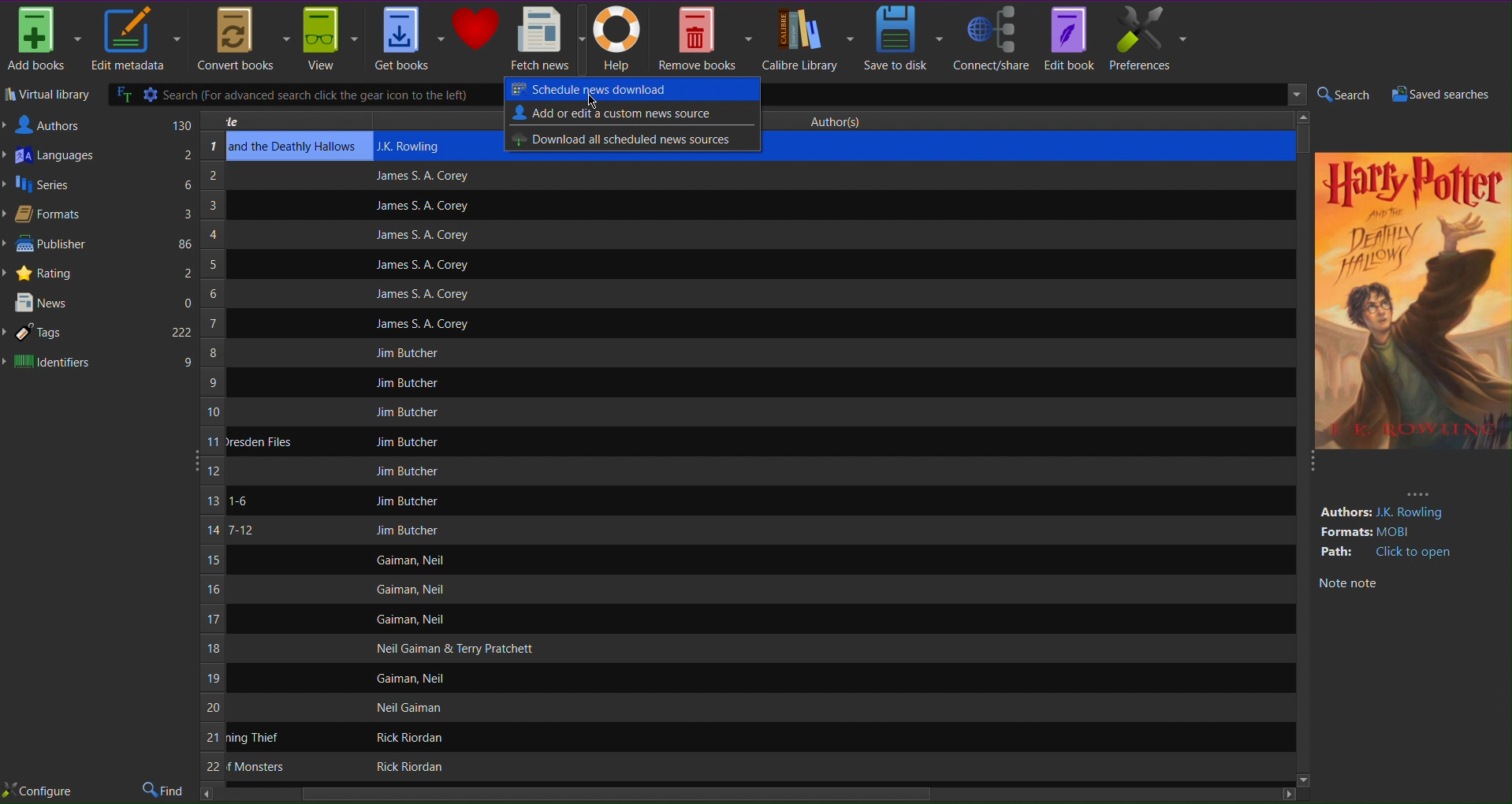 The width and height of the screenshot is (1512, 804). I want to click on JK. Rowling, so click(417, 145).